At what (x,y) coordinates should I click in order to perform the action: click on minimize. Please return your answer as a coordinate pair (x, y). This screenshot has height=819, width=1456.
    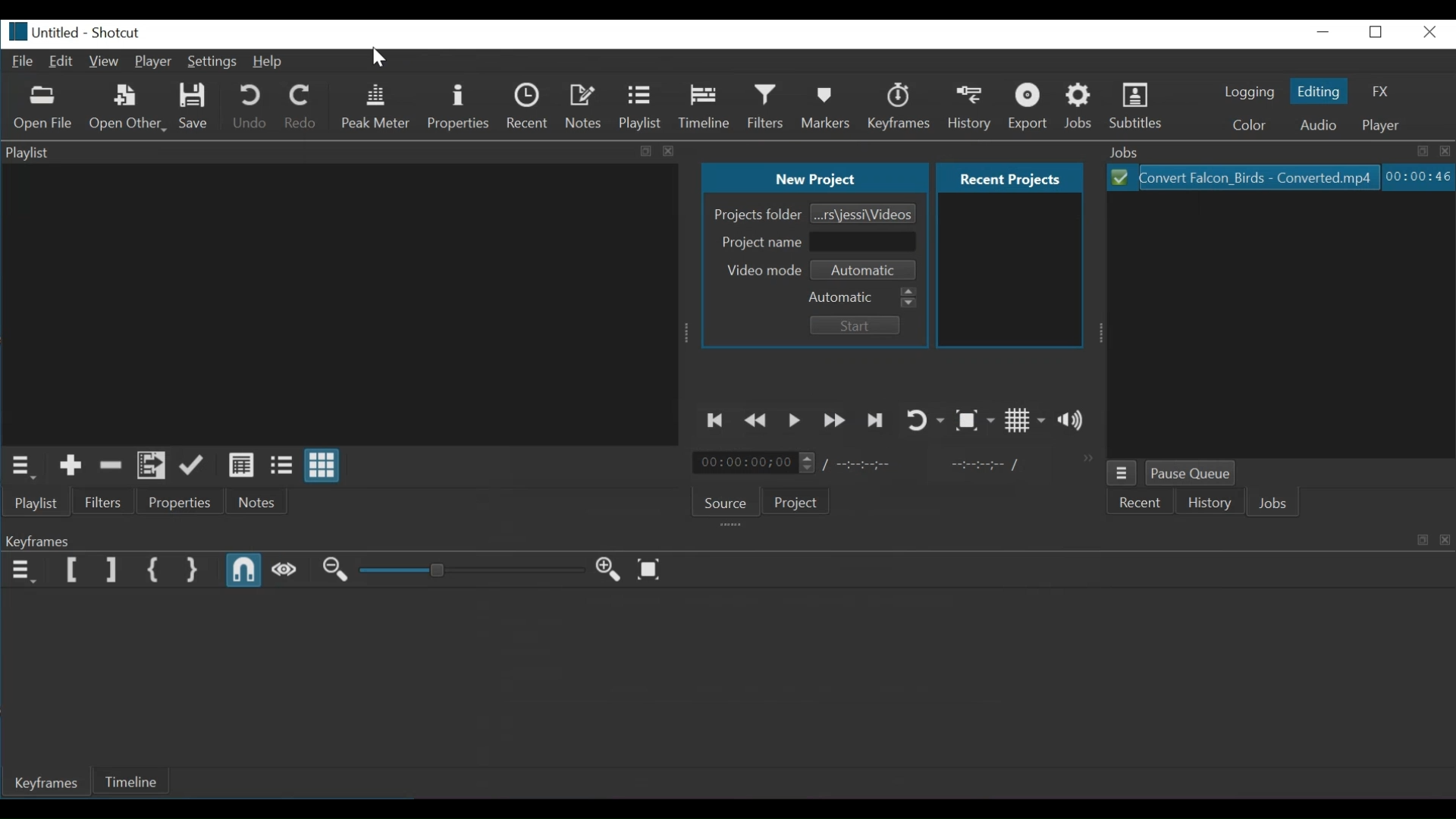
    Looking at the image, I should click on (1326, 35).